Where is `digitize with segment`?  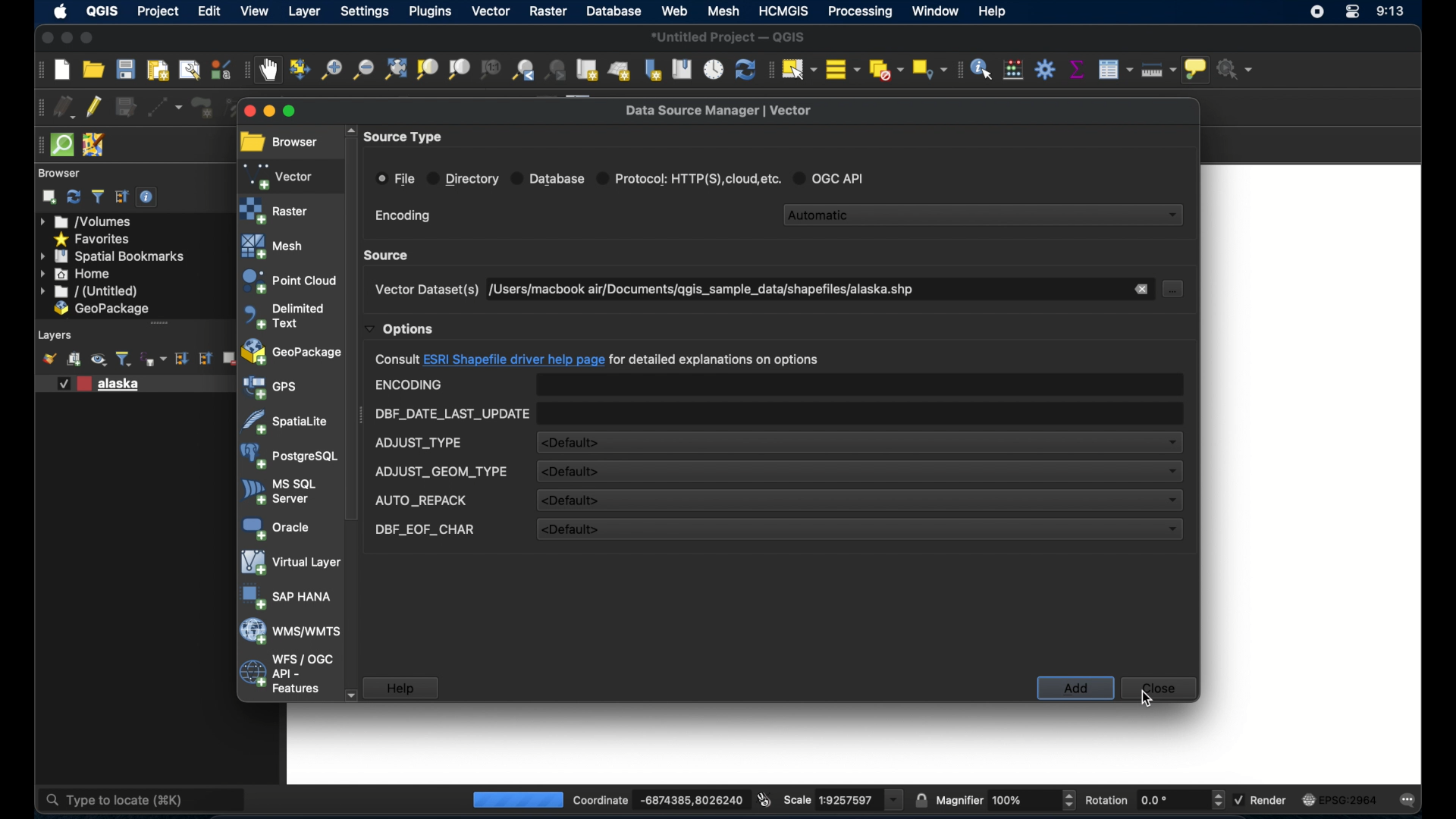 digitize with segment is located at coordinates (166, 106).